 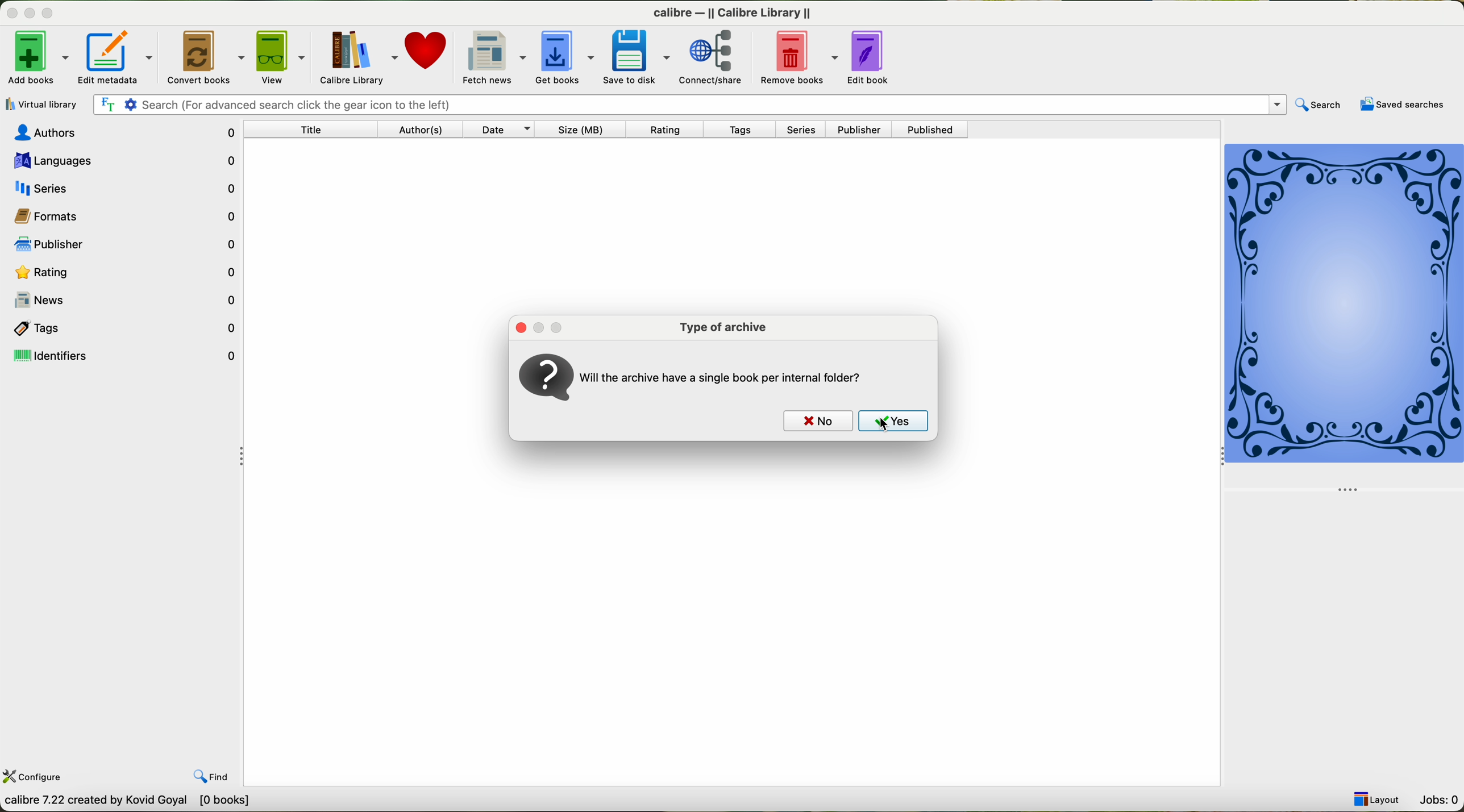 What do you see at coordinates (1345, 317) in the screenshot?
I see `cover book preview` at bounding box center [1345, 317].